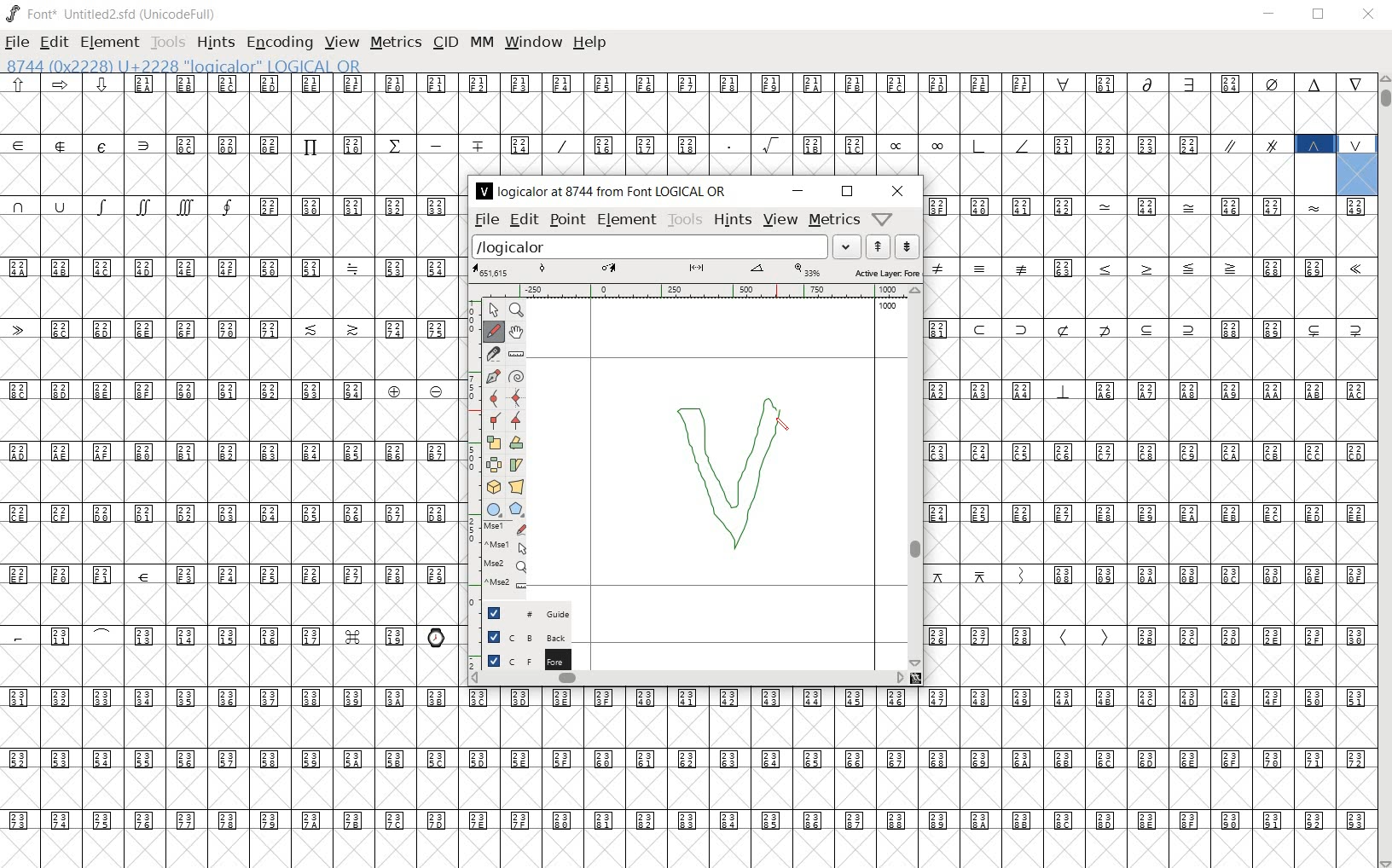  I want to click on metrics, so click(834, 219).